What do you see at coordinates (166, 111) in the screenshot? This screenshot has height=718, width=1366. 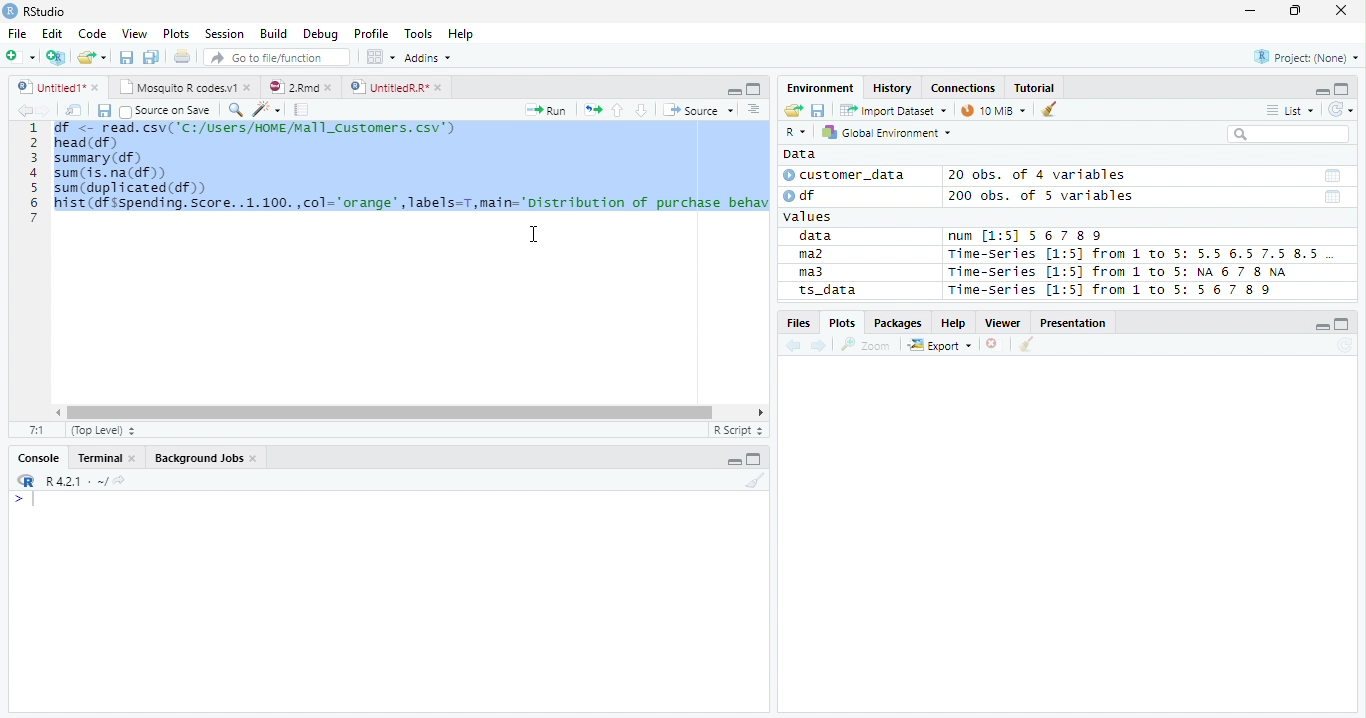 I see `Source on save` at bounding box center [166, 111].